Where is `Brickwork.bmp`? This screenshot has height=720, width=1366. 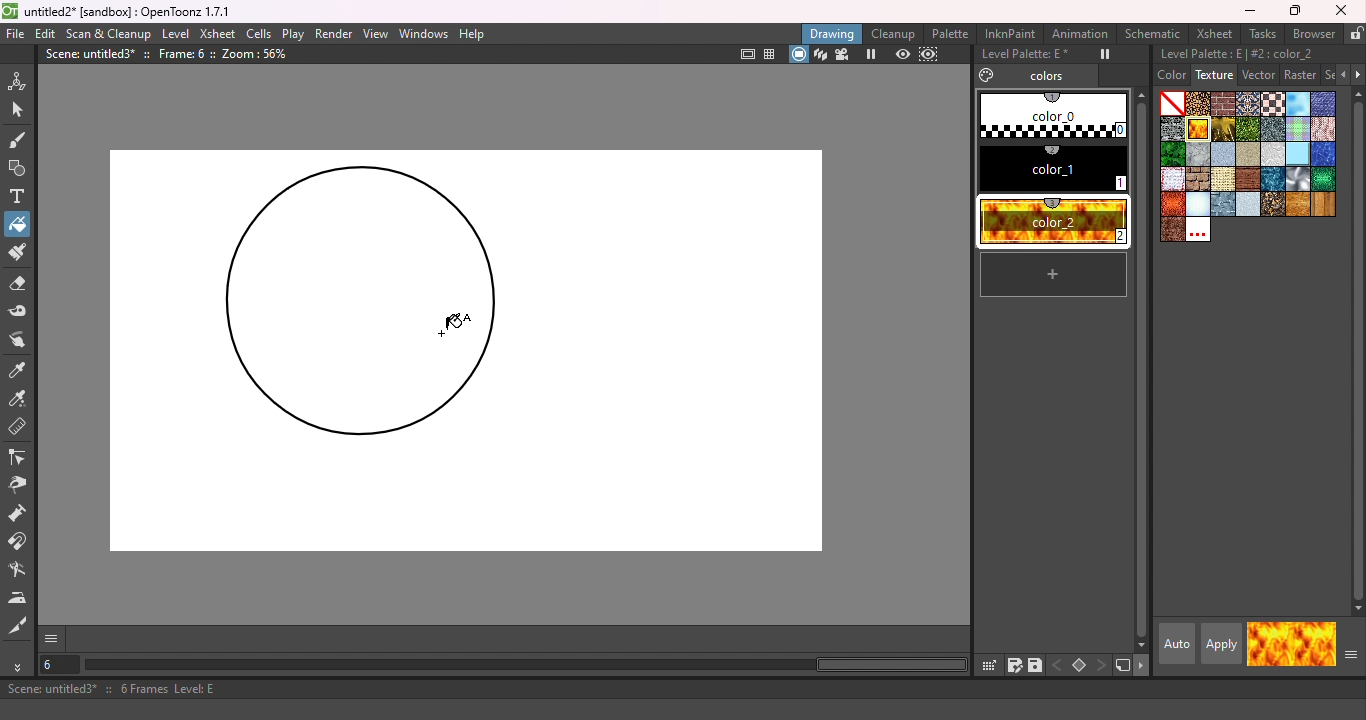
Brickwork.bmp is located at coordinates (1224, 103).